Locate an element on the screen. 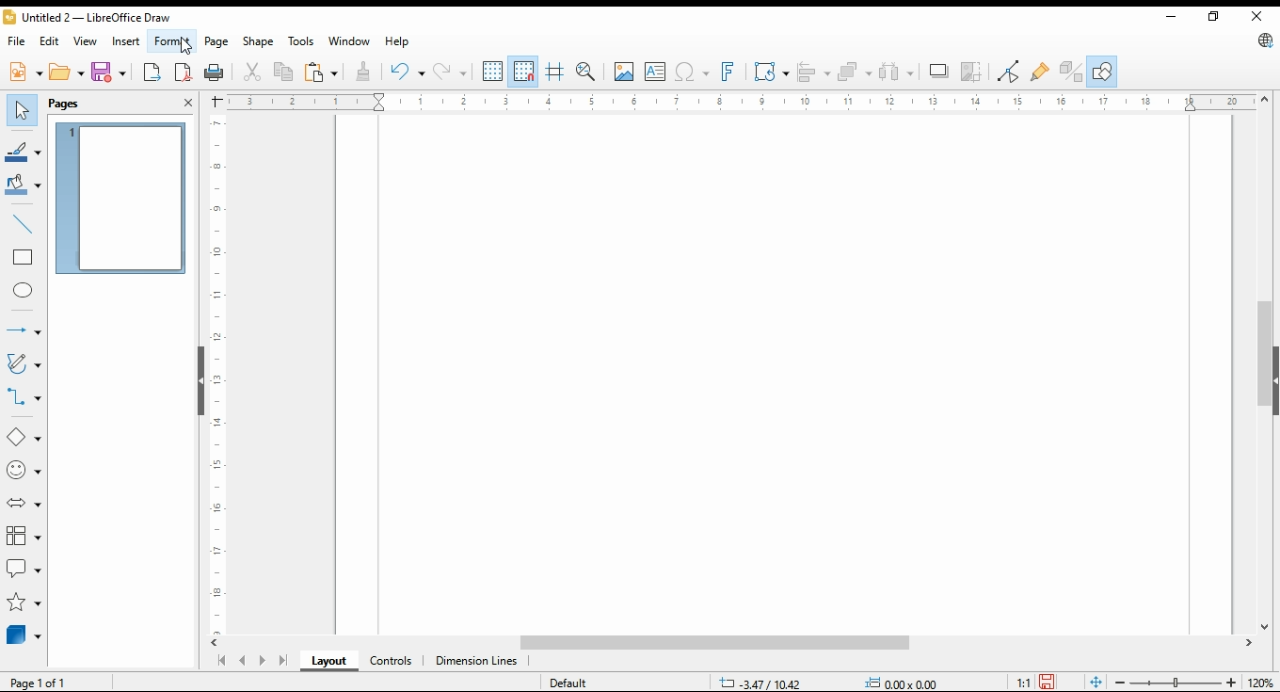 The image size is (1280, 692). mouse pointer is located at coordinates (186, 48).